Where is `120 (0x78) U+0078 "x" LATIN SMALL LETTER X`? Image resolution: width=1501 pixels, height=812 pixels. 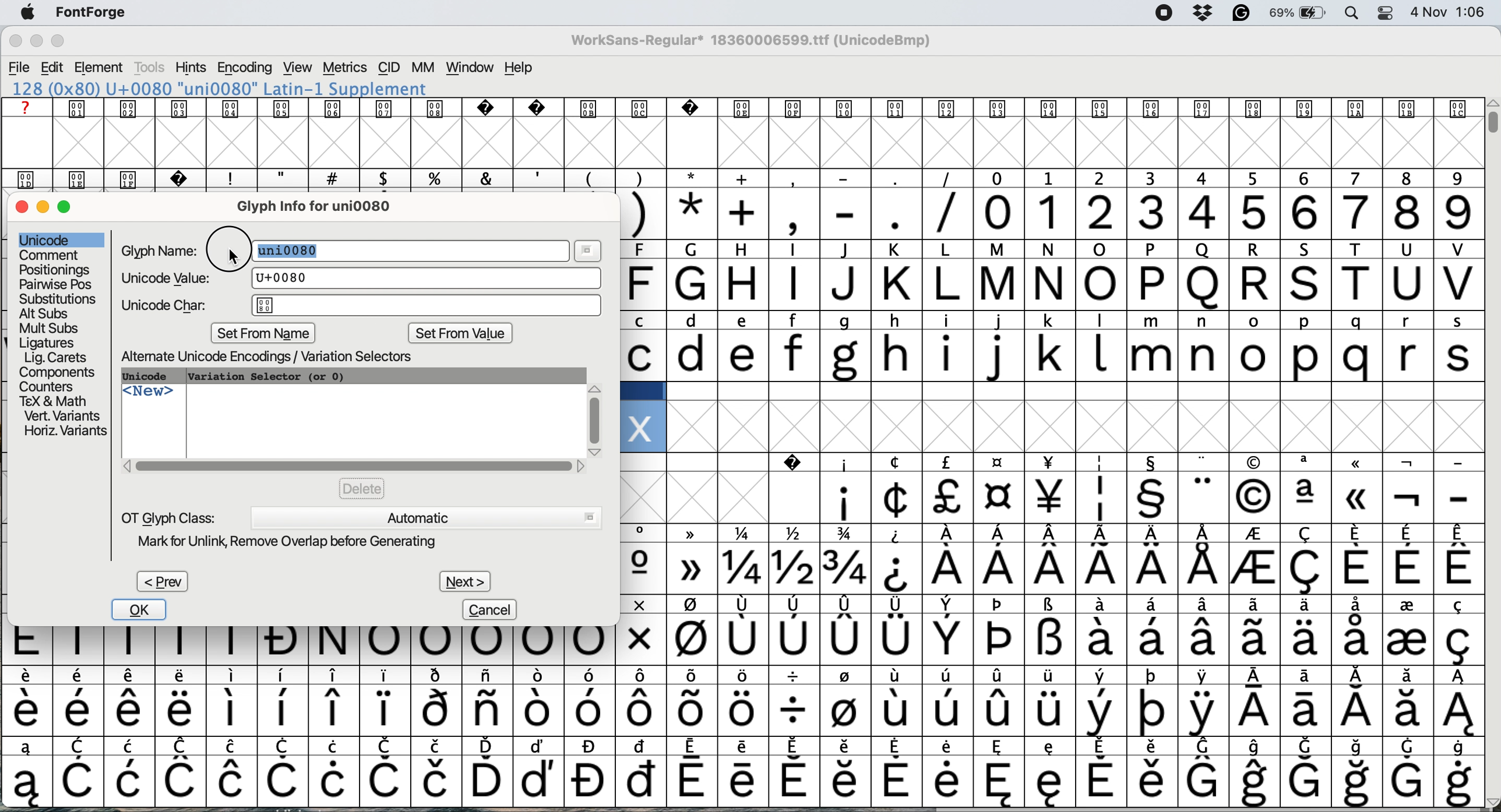 120 (0x78) U+0078 "x" LATIN SMALL LETTER X is located at coordinates (220, 89).